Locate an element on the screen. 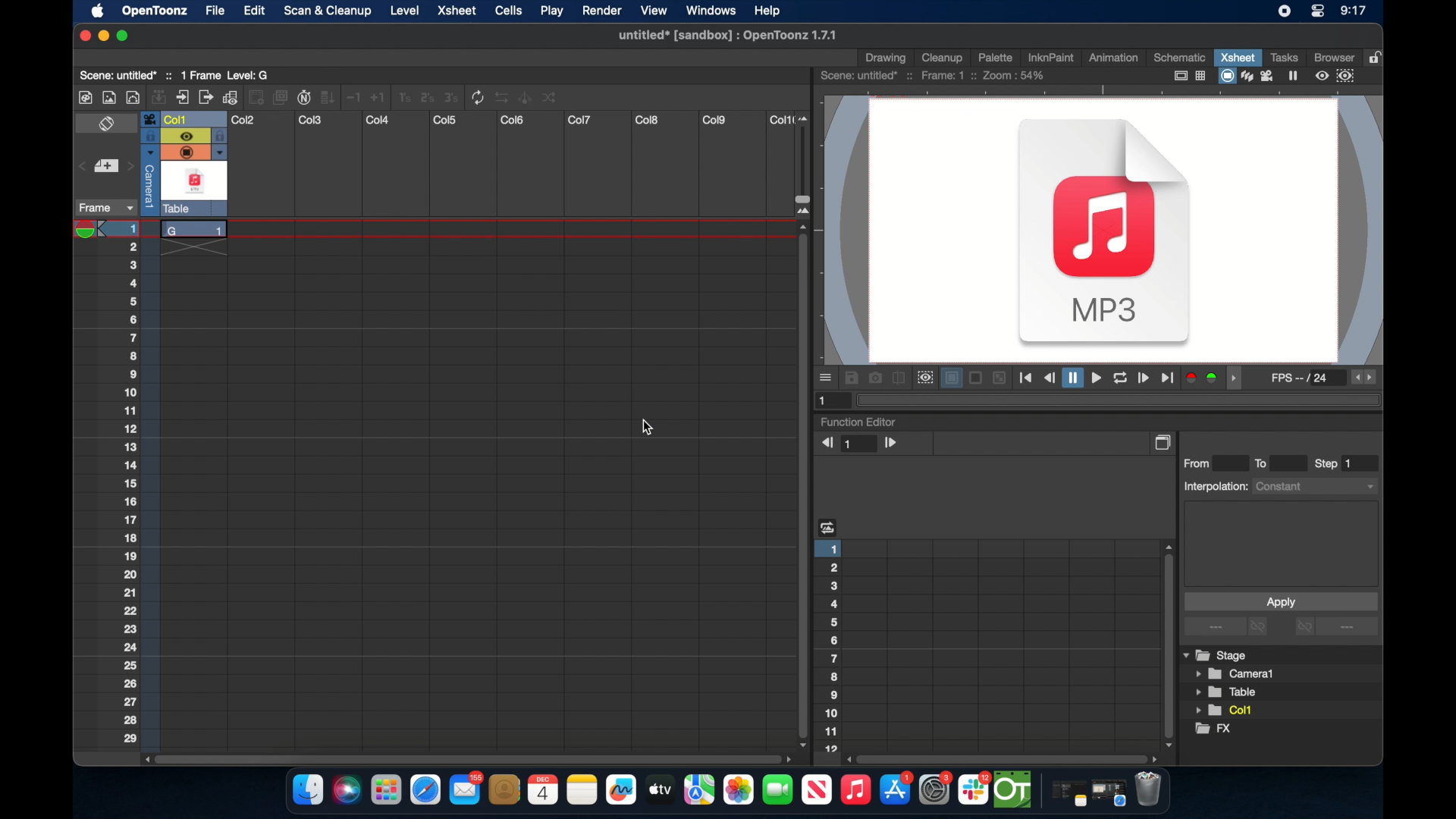 The width and height of the screenshot is (1456, 819). columns is located at coordinates (510, 120).